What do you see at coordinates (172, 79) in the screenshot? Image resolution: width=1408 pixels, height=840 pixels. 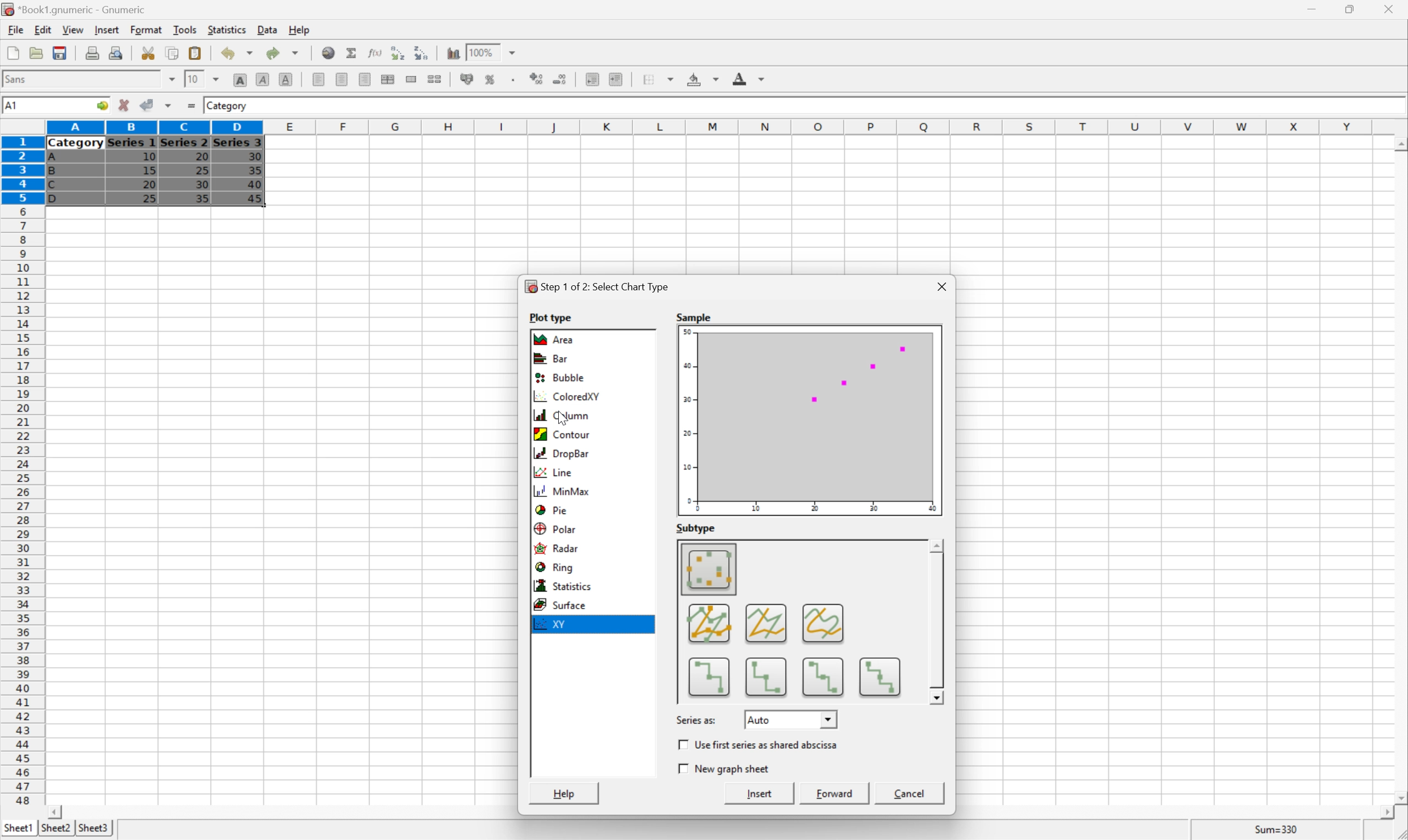 I see `Drop Down` at bounding box center [172, 79].